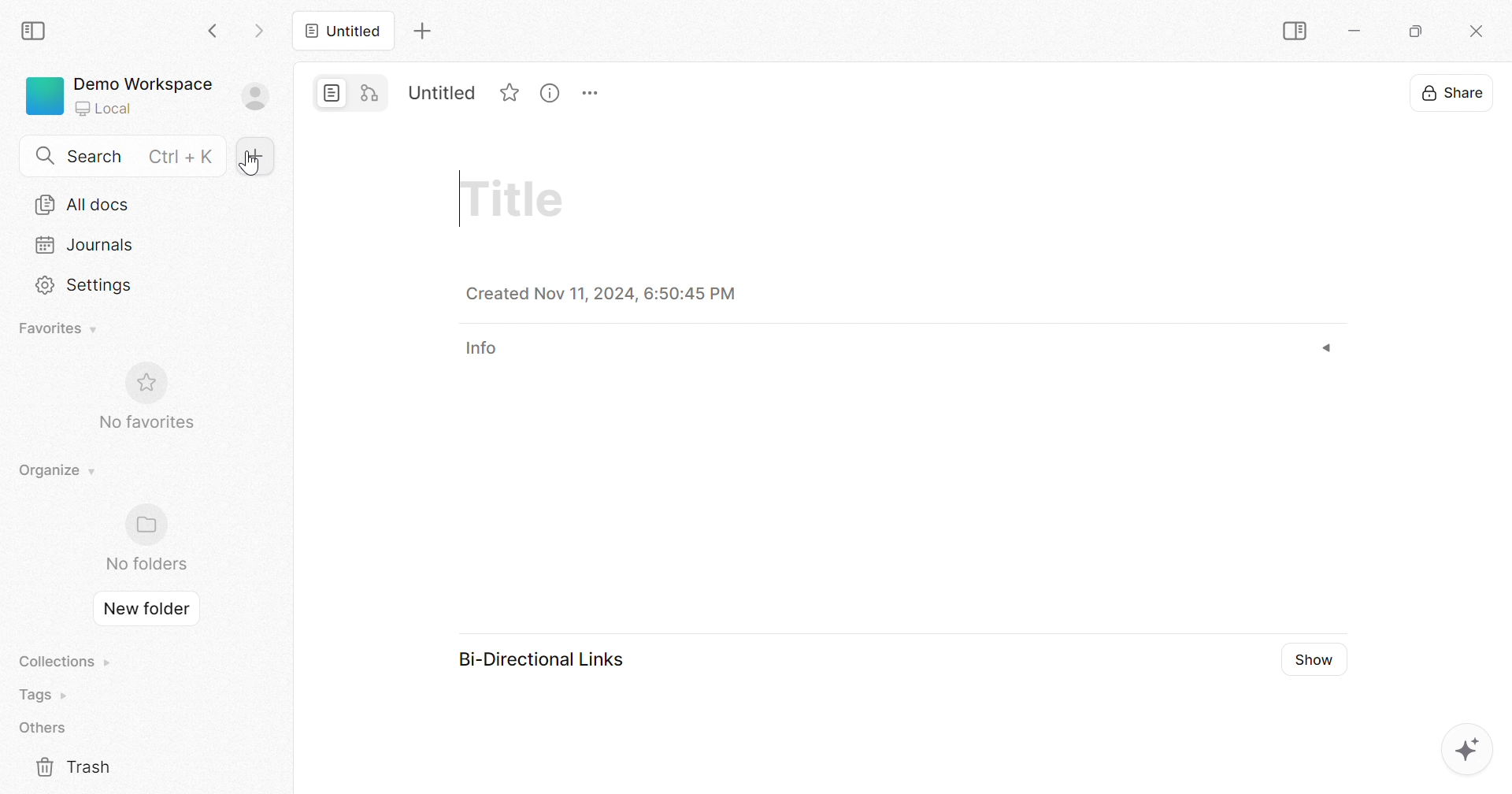 This screenshot has height=794, width=1512. What do you see at coordinates (1295, 32) in the screenshot?
I see `Collapse sidebar` at bounding box center [1295, 32].